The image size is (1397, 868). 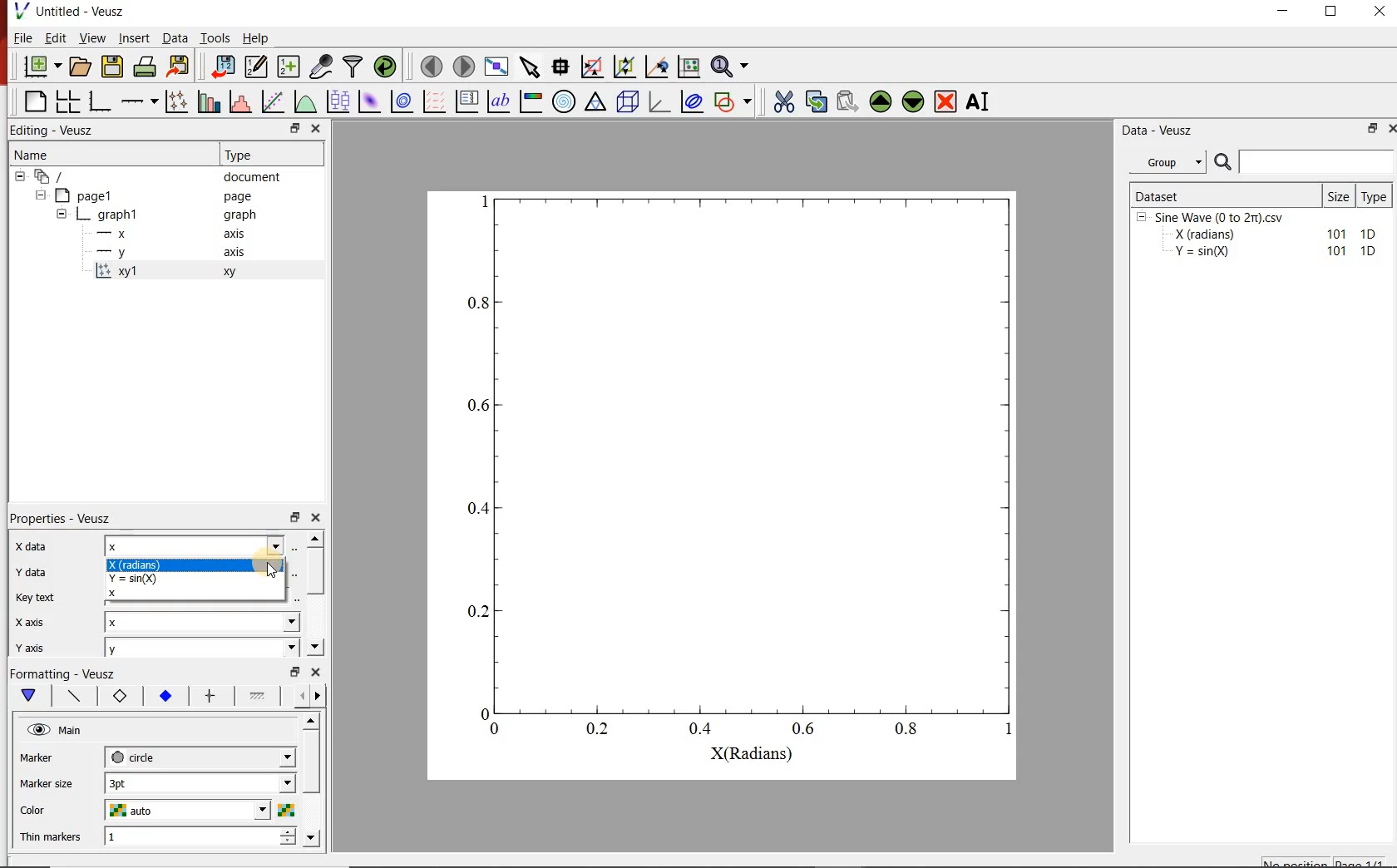 I want to click on open document, so click(x=81, y=67).